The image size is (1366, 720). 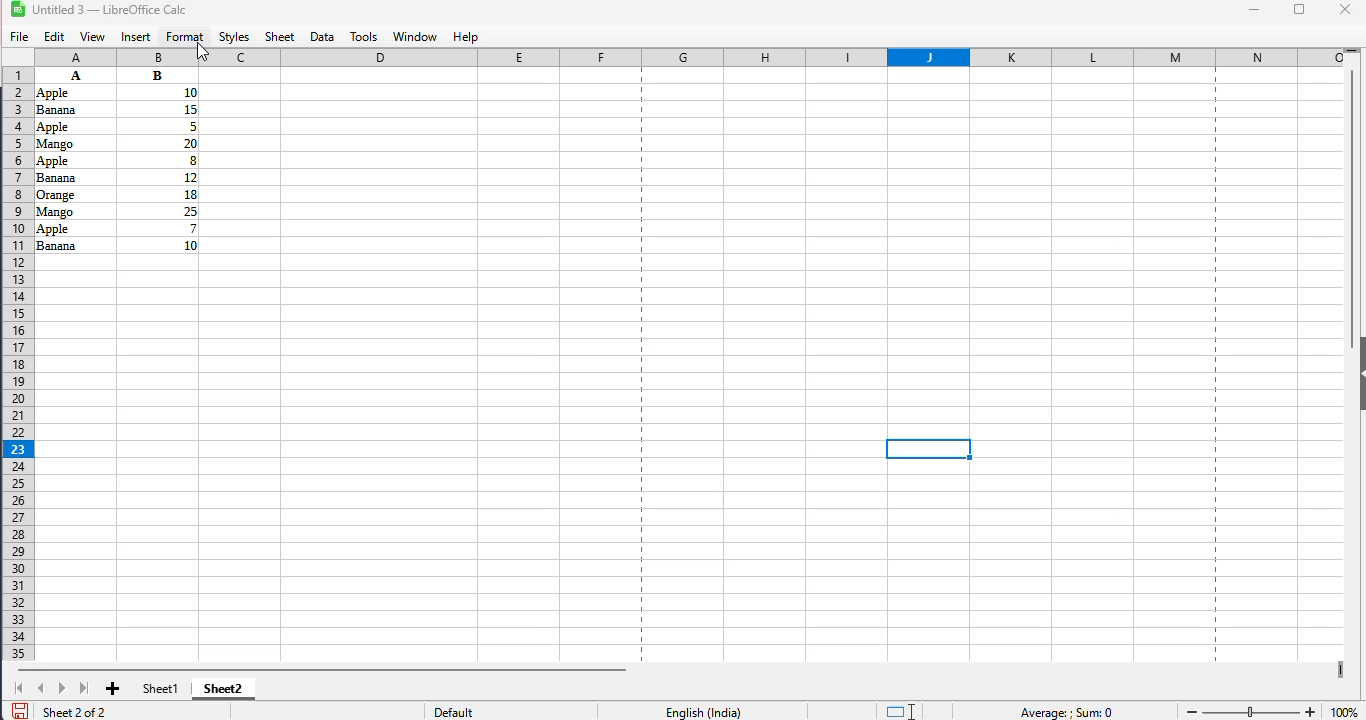 What do you see at coordinates (73, 142) in the screenshot?
I see `` at bounding box center [73, 142].